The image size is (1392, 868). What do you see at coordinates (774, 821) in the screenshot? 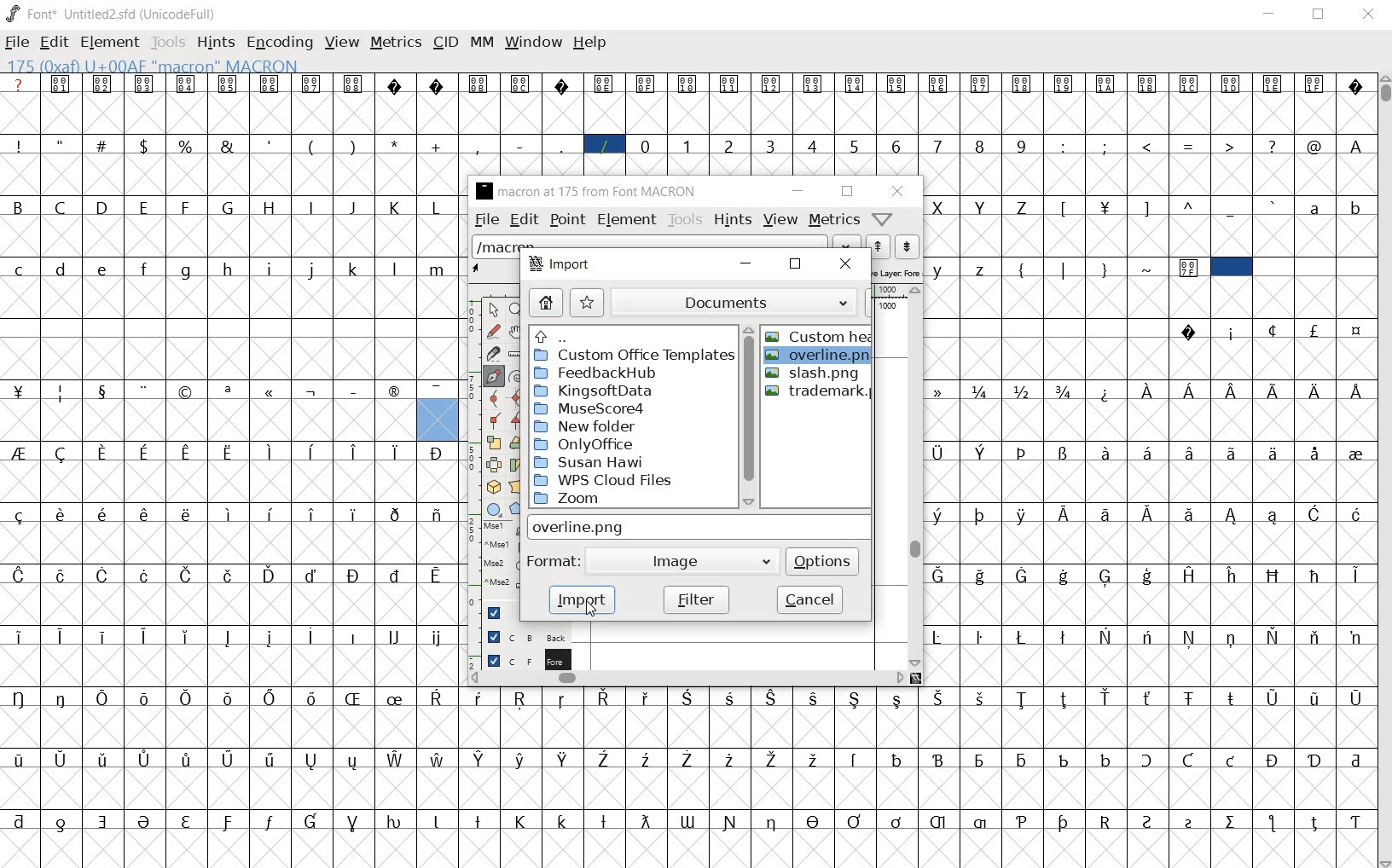
I see `Symbol` at bounding box center [774, 821].